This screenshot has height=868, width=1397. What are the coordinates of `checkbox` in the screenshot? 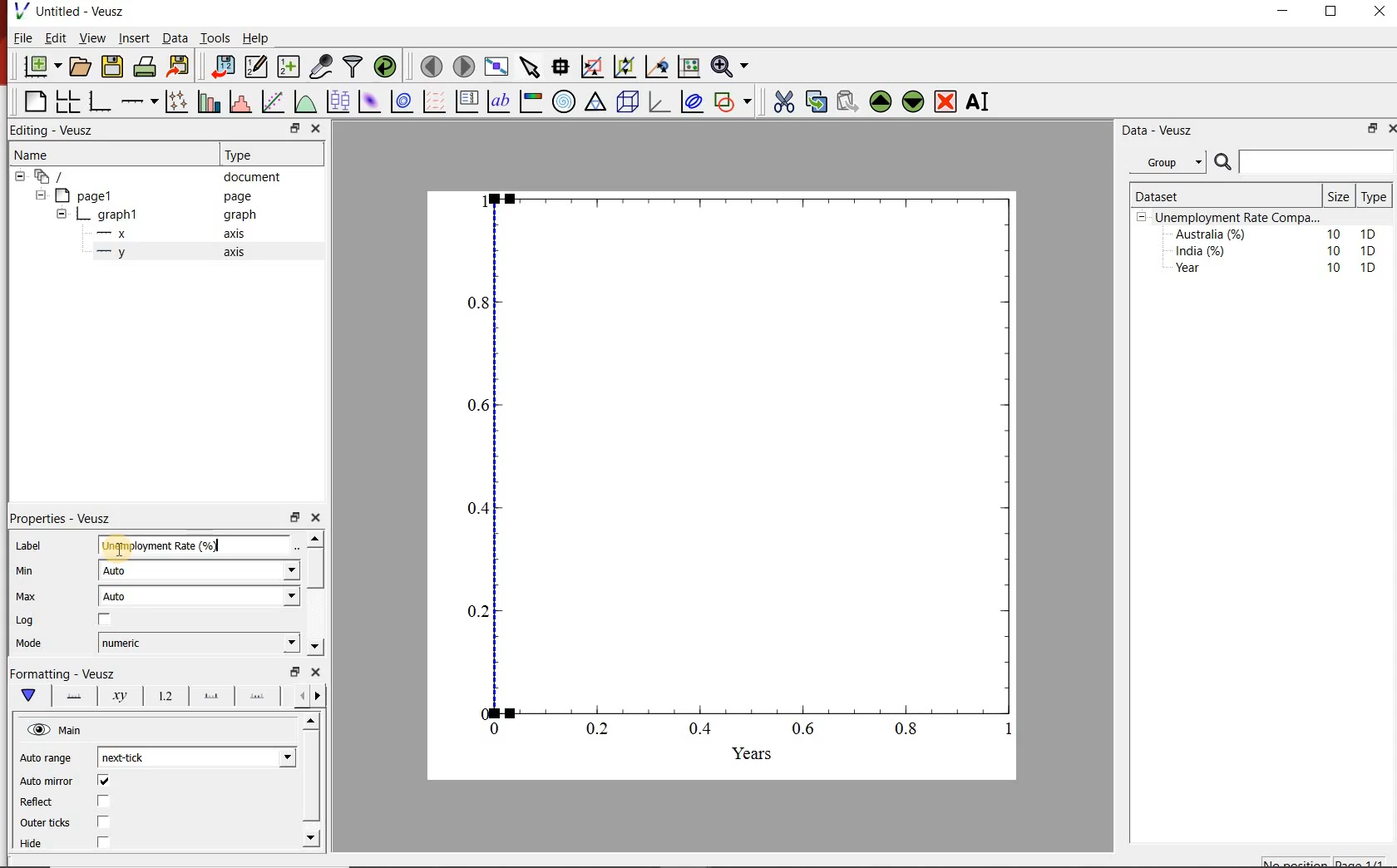 It's located at (106, 619).